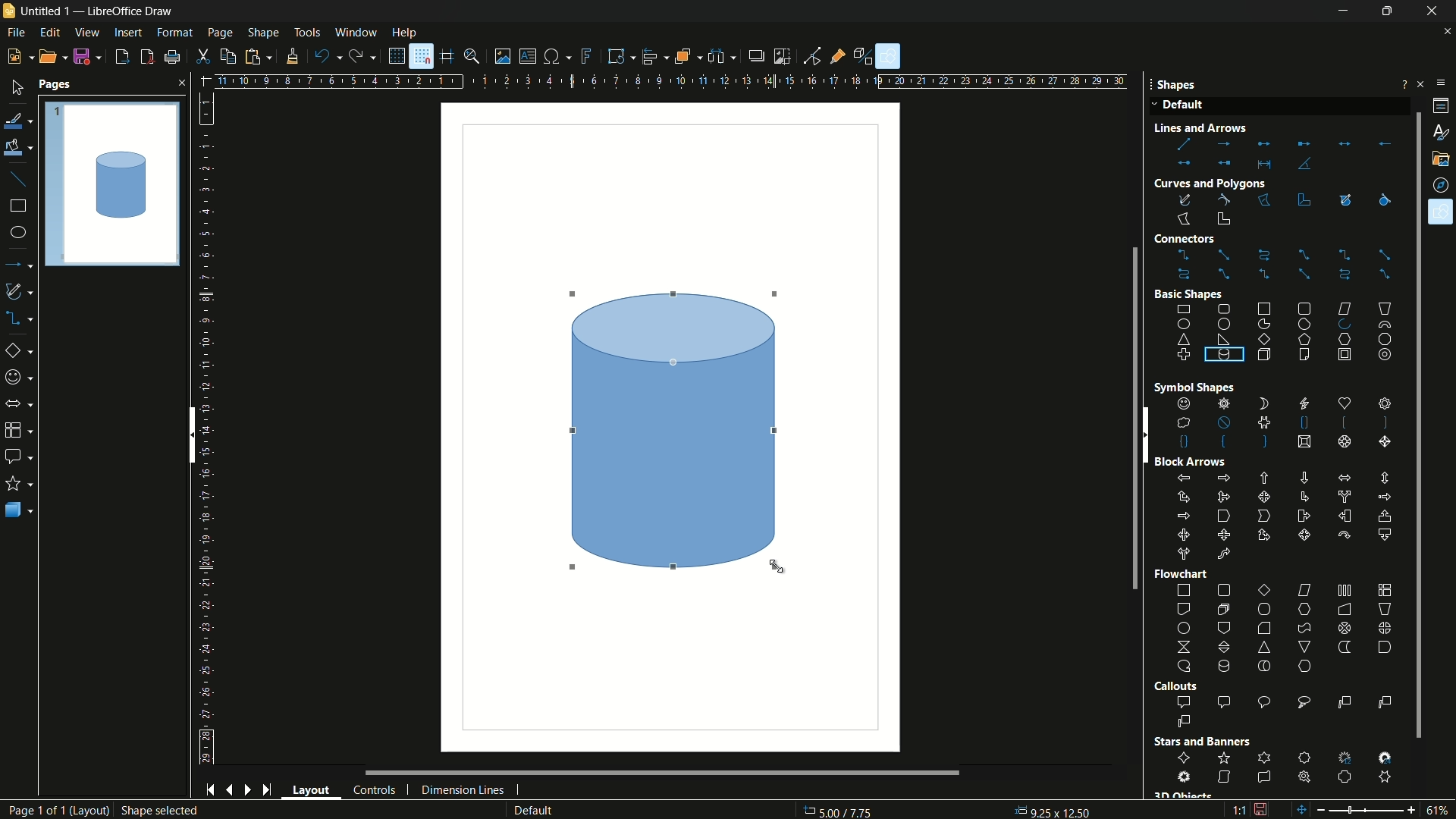 This screenshot has width=1456, height=819. Describe the element at coordinates (1441, 810) in the screenshot. I see `zoom factor` at that location.